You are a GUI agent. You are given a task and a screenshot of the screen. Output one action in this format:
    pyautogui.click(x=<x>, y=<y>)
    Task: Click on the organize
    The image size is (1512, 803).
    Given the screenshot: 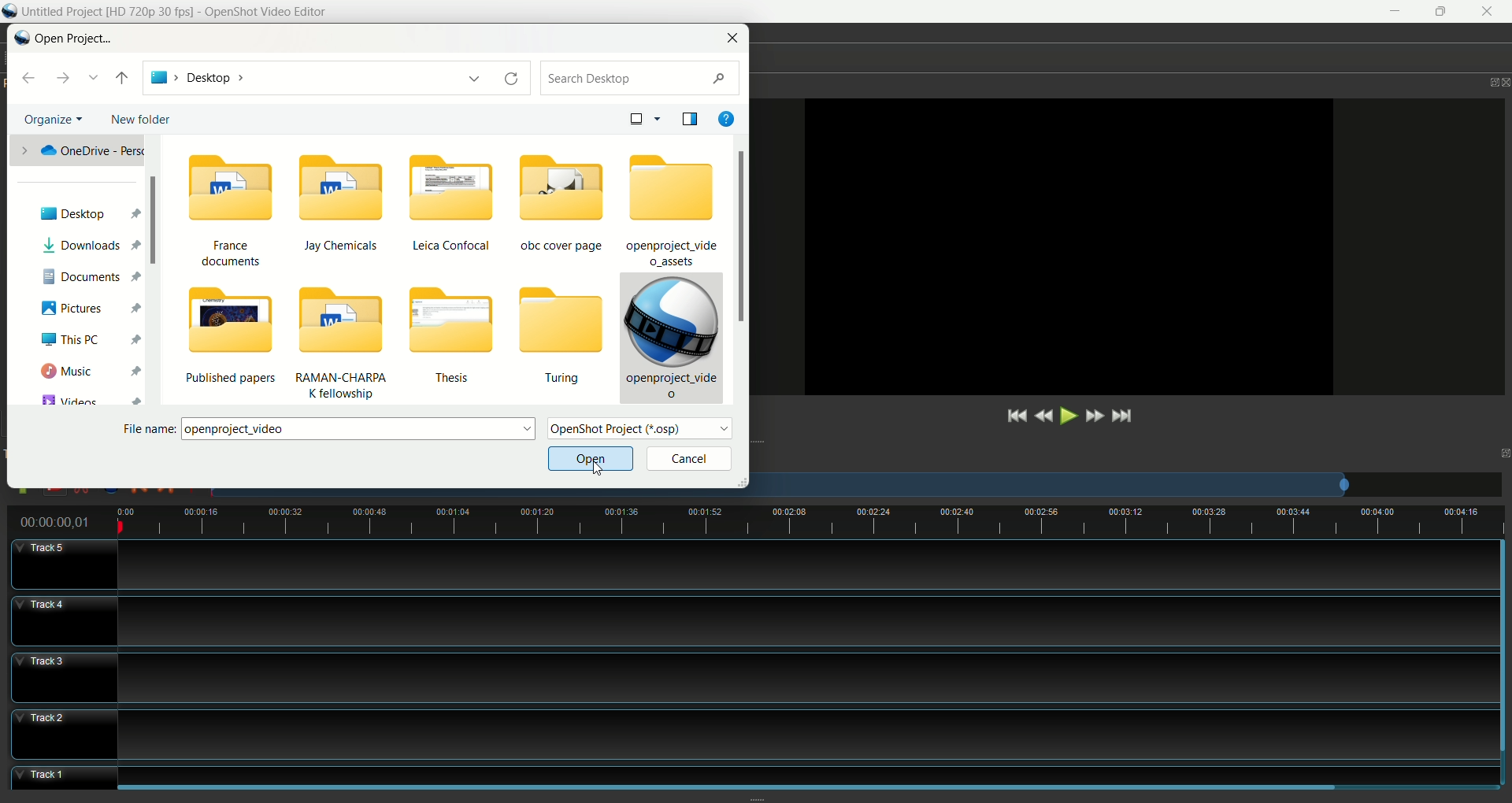 What is the action you would take?
    pyautogui.click(x=54, y=118)
    